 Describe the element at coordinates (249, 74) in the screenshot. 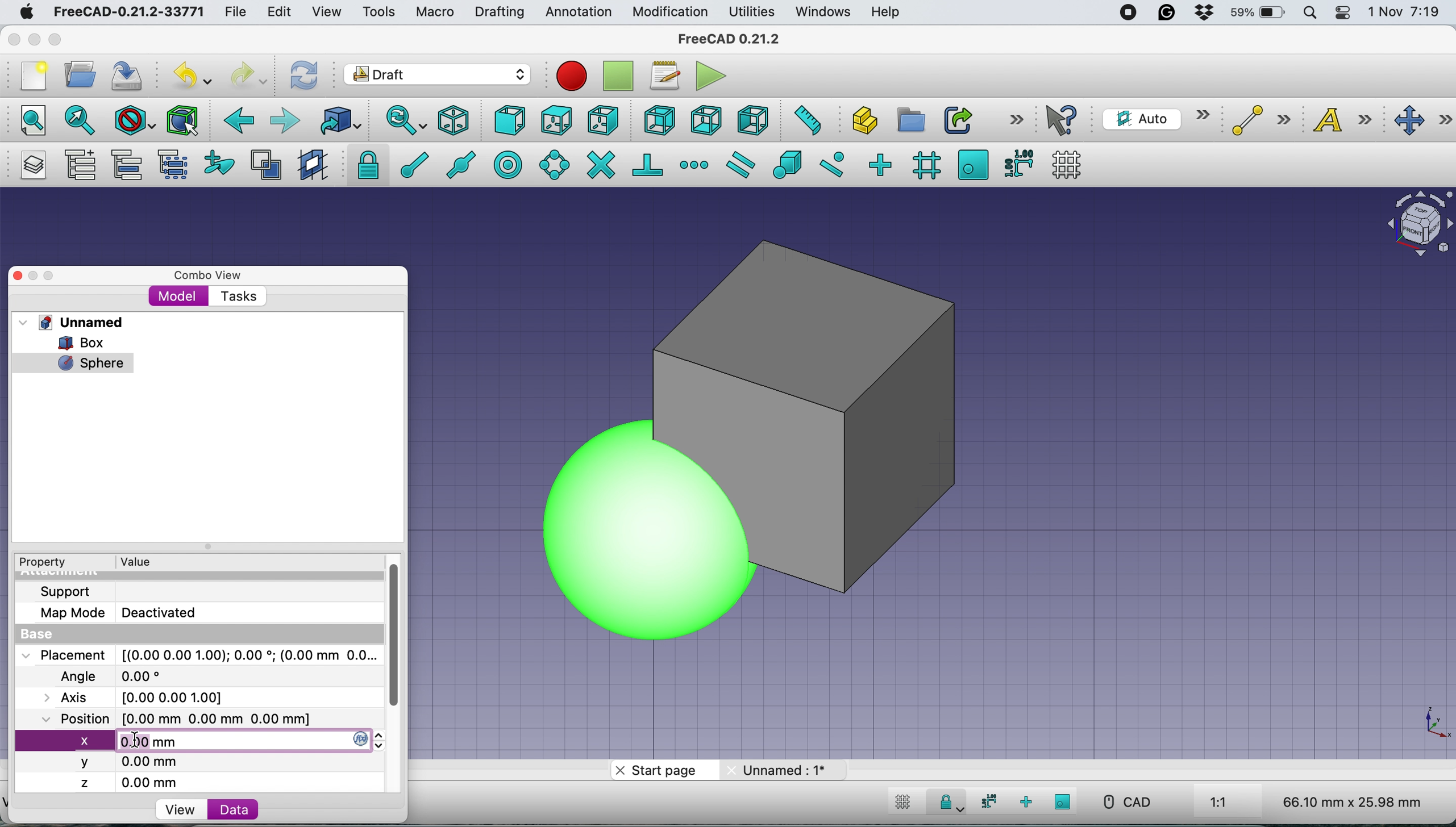

I see `redo` at that location.